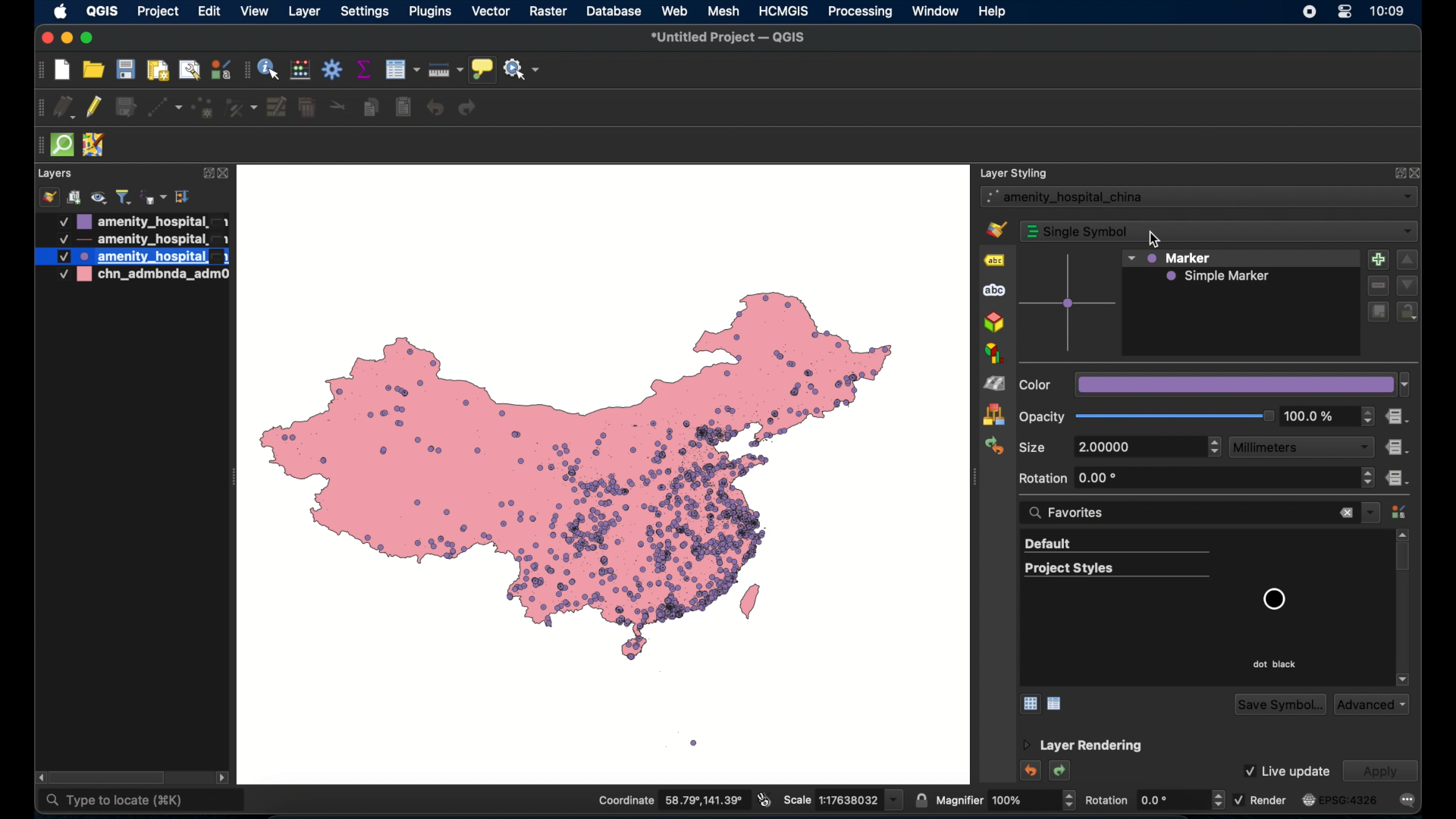 The width and height of the screenshot is (1456, 819). Describe the element at coordinates (994, 323) in the screenshot. I see `3d view` at that location.